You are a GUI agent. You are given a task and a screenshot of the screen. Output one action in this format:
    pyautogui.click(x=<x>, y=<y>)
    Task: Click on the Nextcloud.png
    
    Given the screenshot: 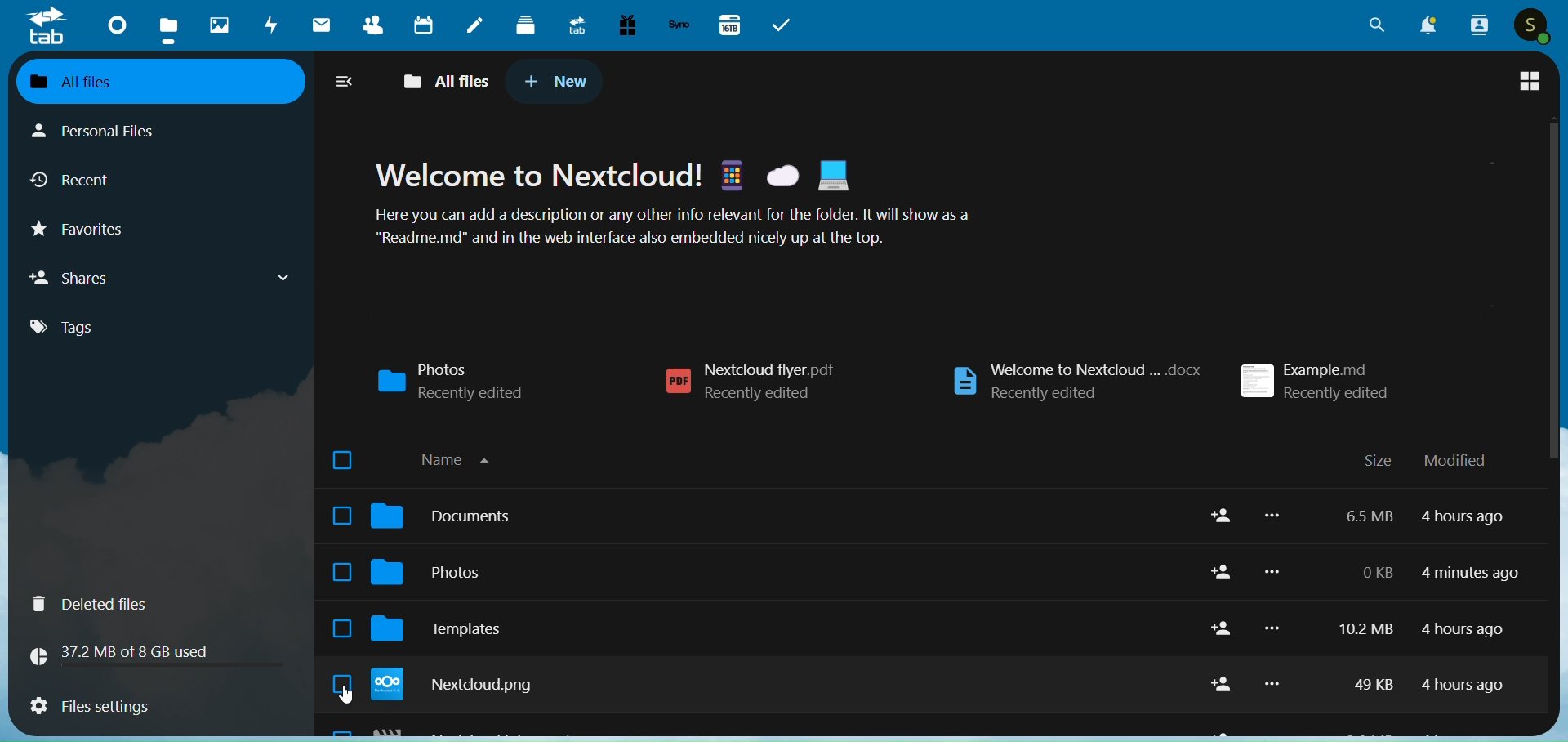 What is the action you would take?
    pyautogui.click(x=782, y=684)
    